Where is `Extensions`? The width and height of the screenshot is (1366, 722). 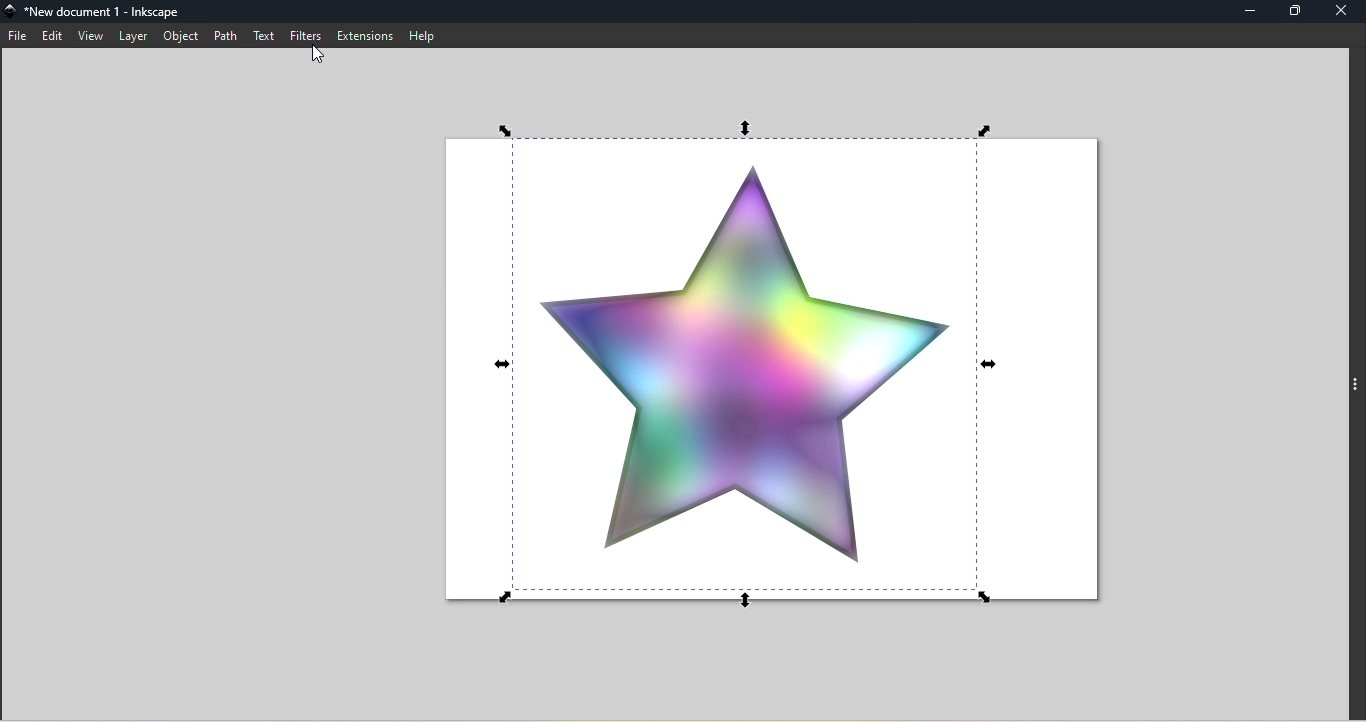
Extensions is located at coordinates (361, 37).